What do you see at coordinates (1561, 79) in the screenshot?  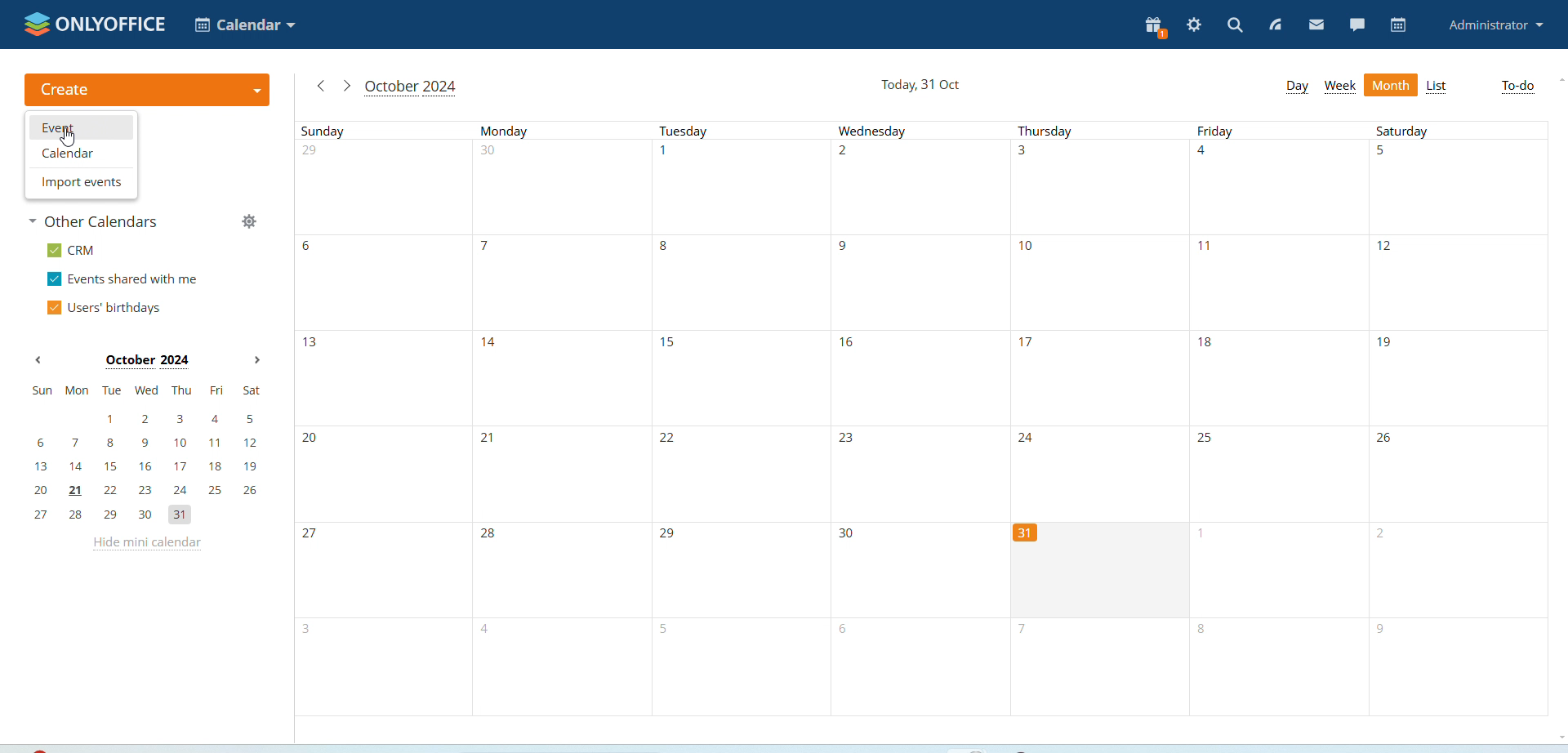 I see `scroll up` at bounding box center [1561, 79].